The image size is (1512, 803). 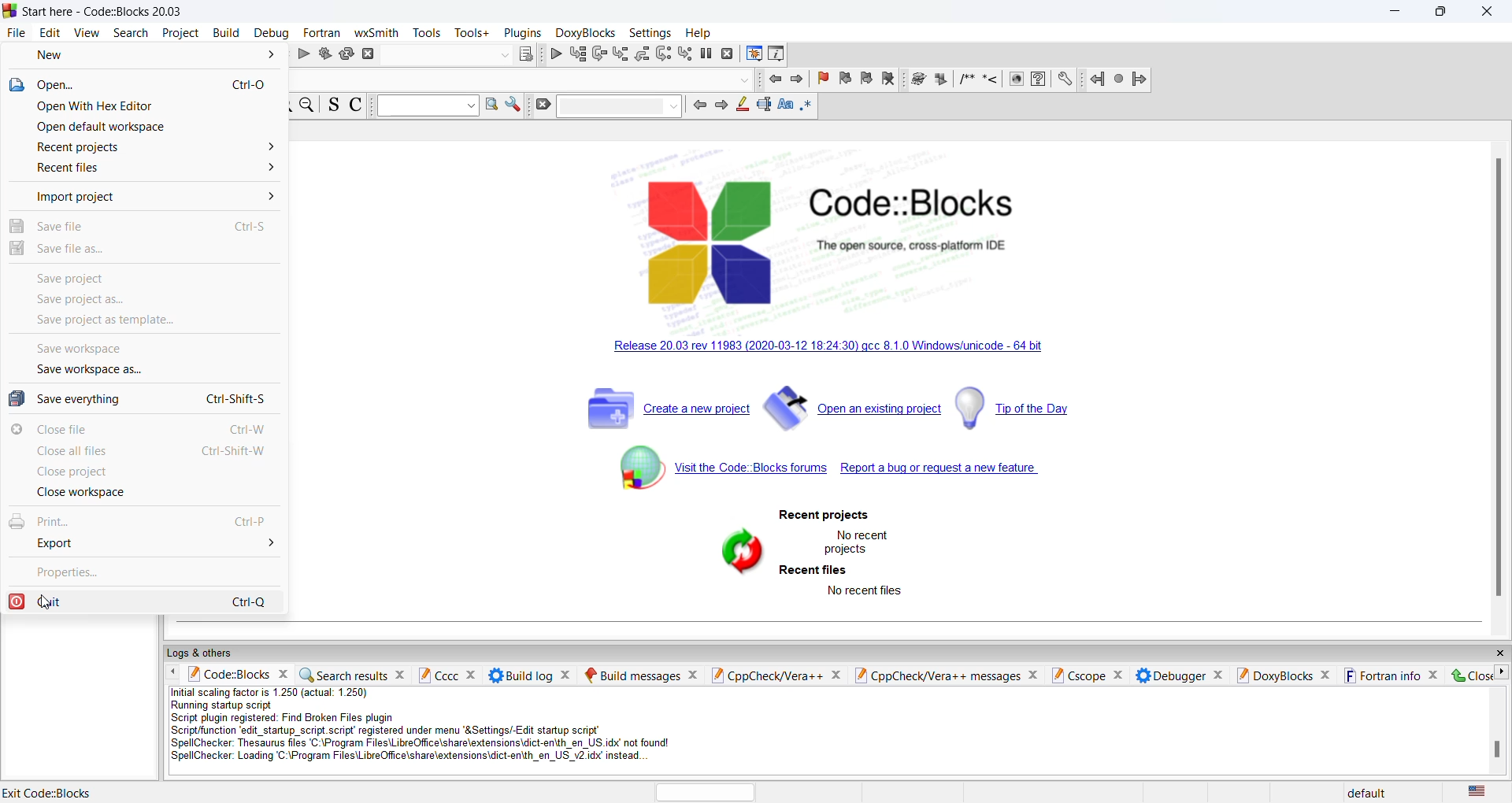 What do you see at coordinates (1497, 373) in the screenshot?
I see `scroll bar` at bounding box center [1497, 373].